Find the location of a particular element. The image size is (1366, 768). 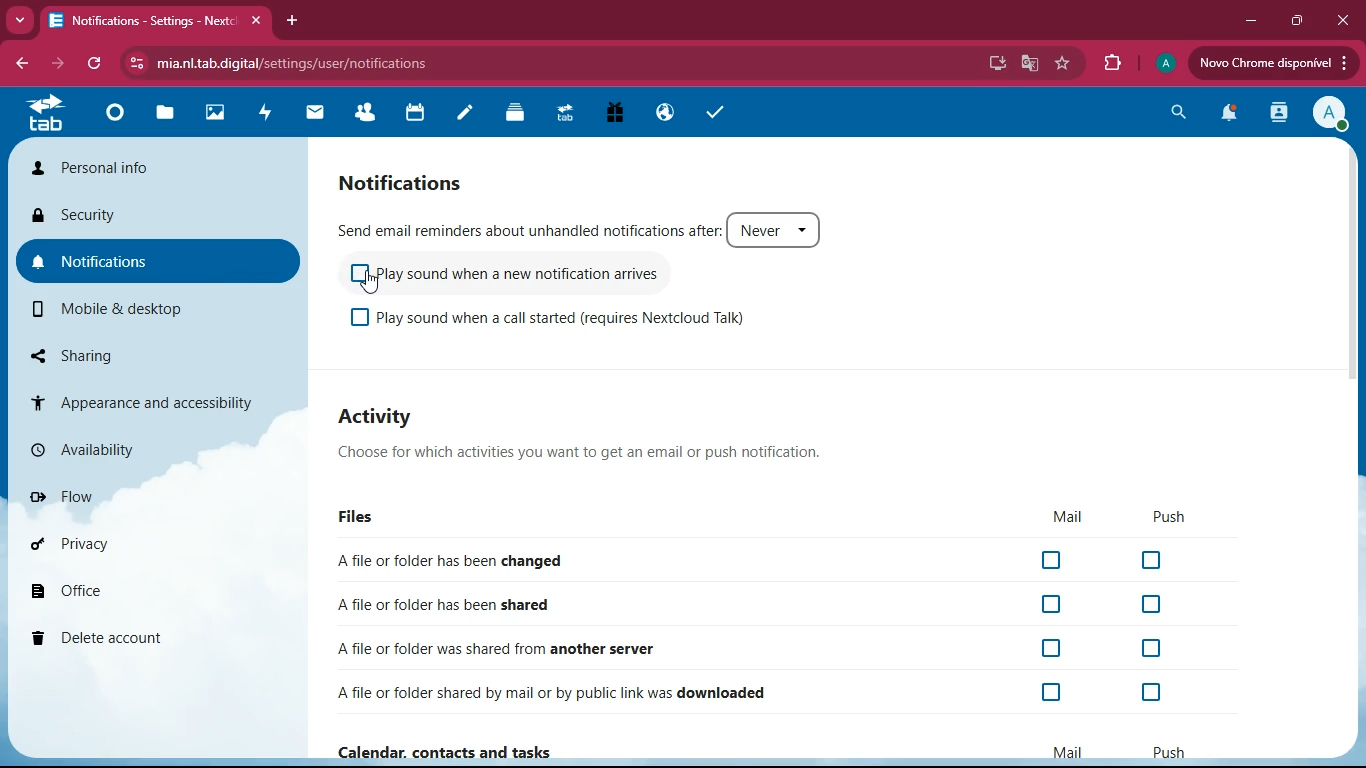

personal info is located at coordinates (161, 166).